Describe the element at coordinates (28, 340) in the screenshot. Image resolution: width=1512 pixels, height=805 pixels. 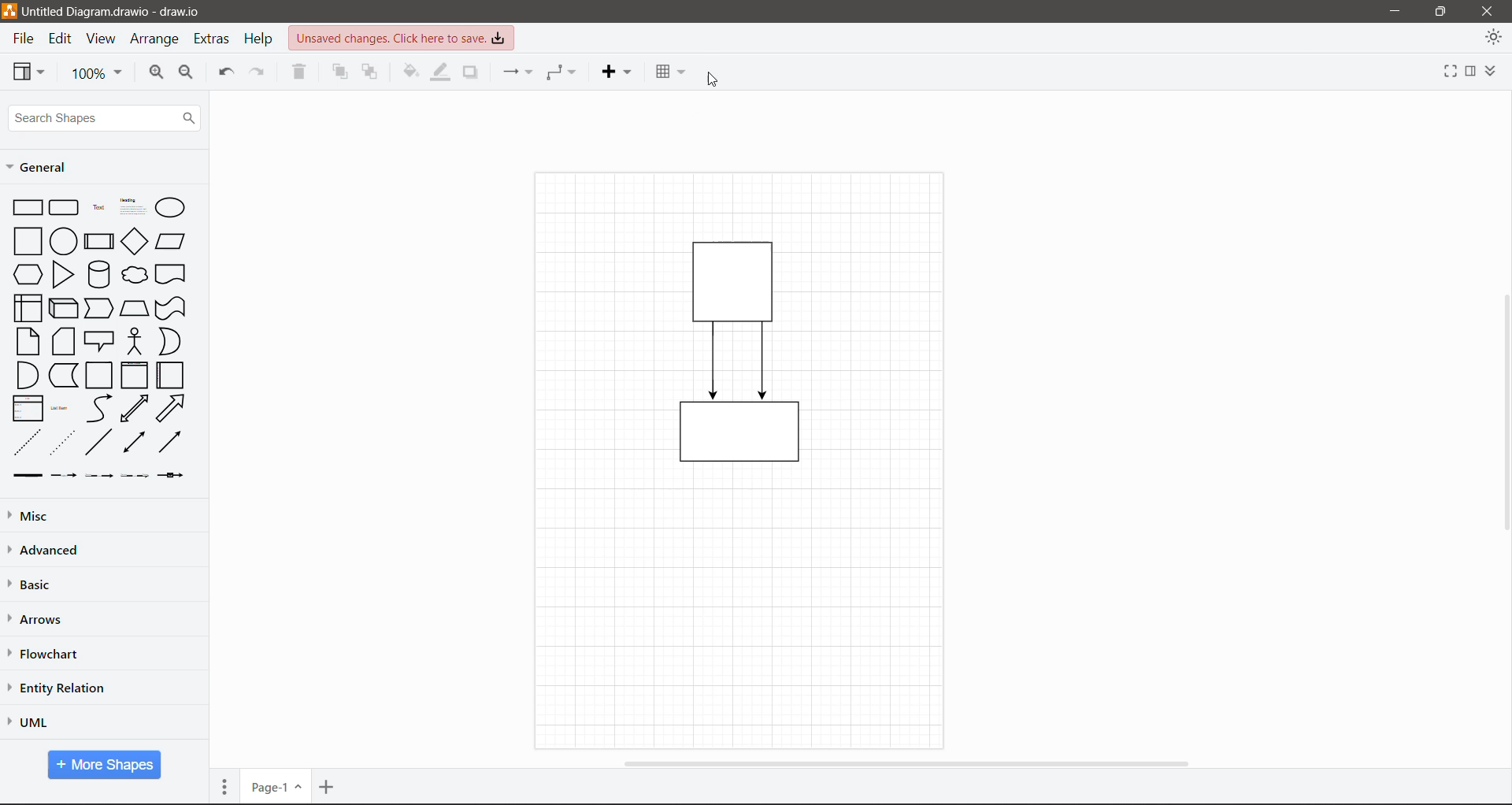
I see `Note` at that location.